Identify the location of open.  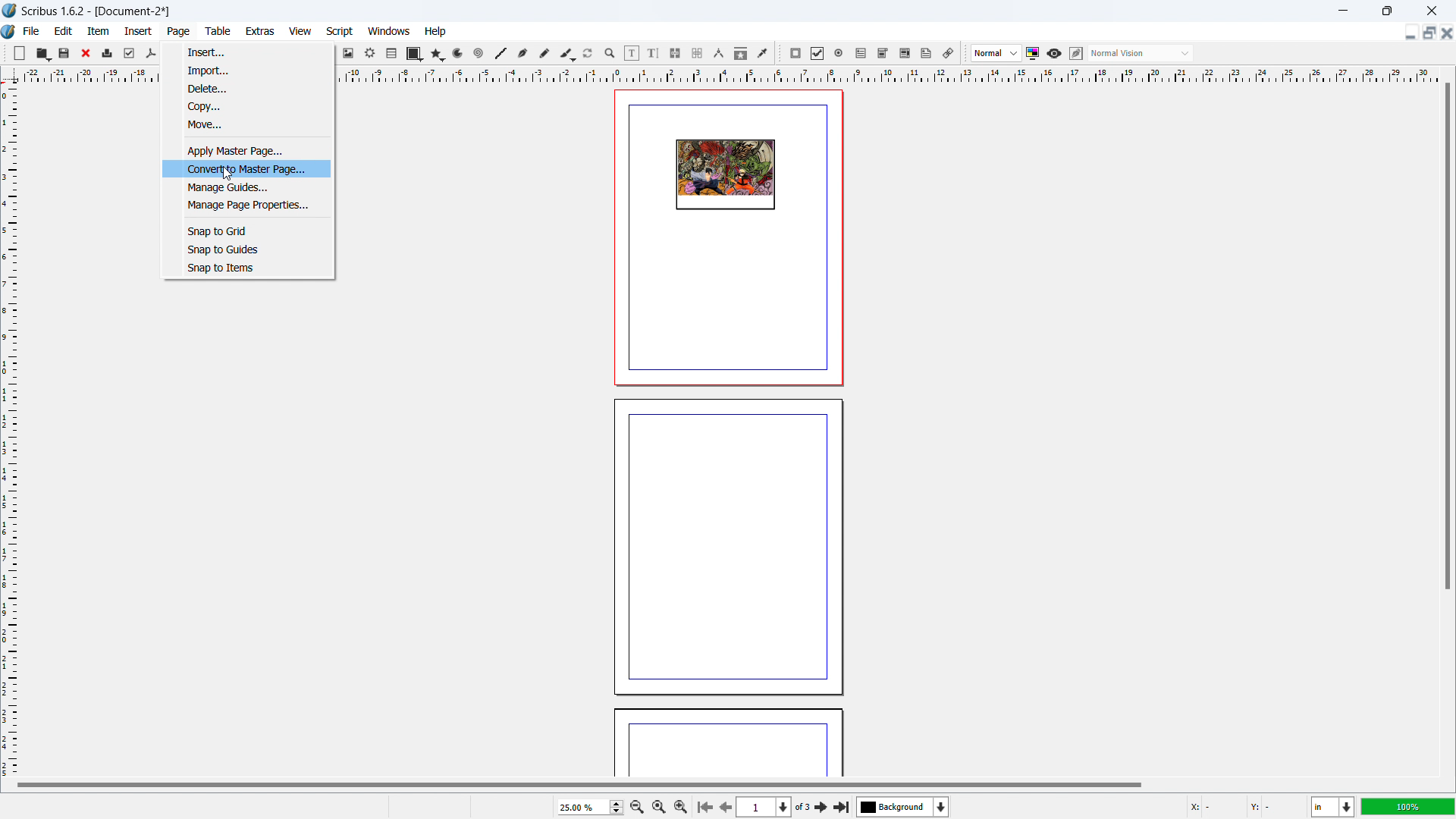
(42, 53).